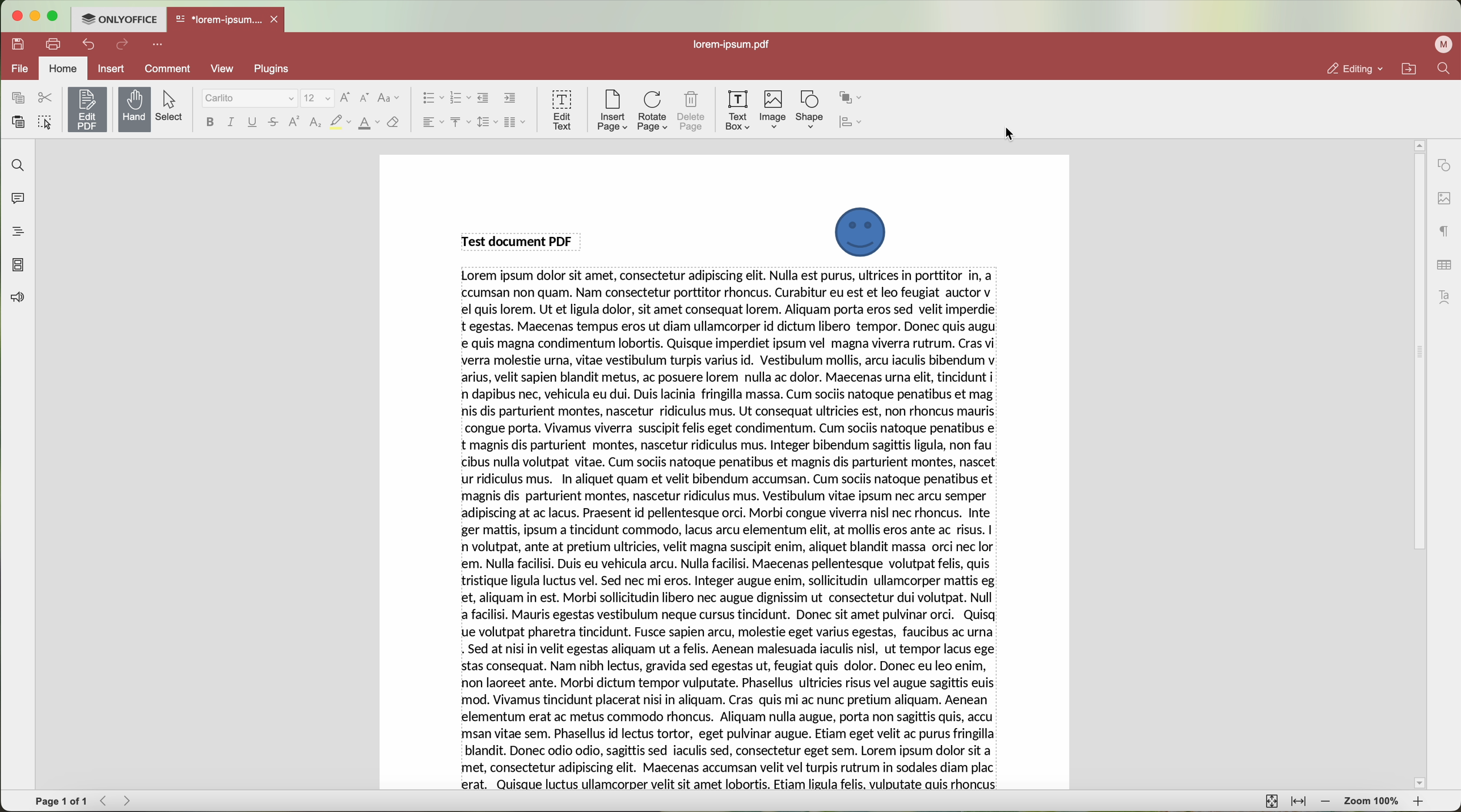  I want to click on ONLYOFFICE, so click(120, 19).